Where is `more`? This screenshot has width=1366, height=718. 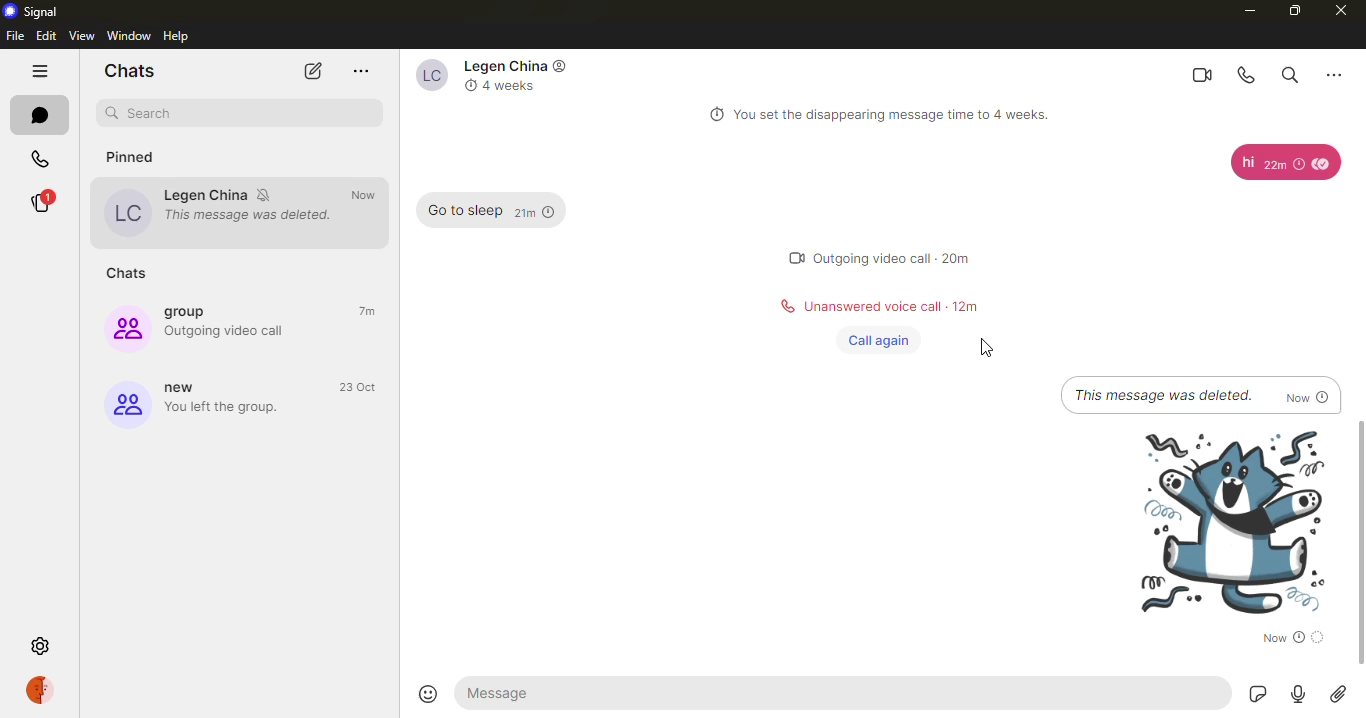 more is located at coordinates (1334, 74).